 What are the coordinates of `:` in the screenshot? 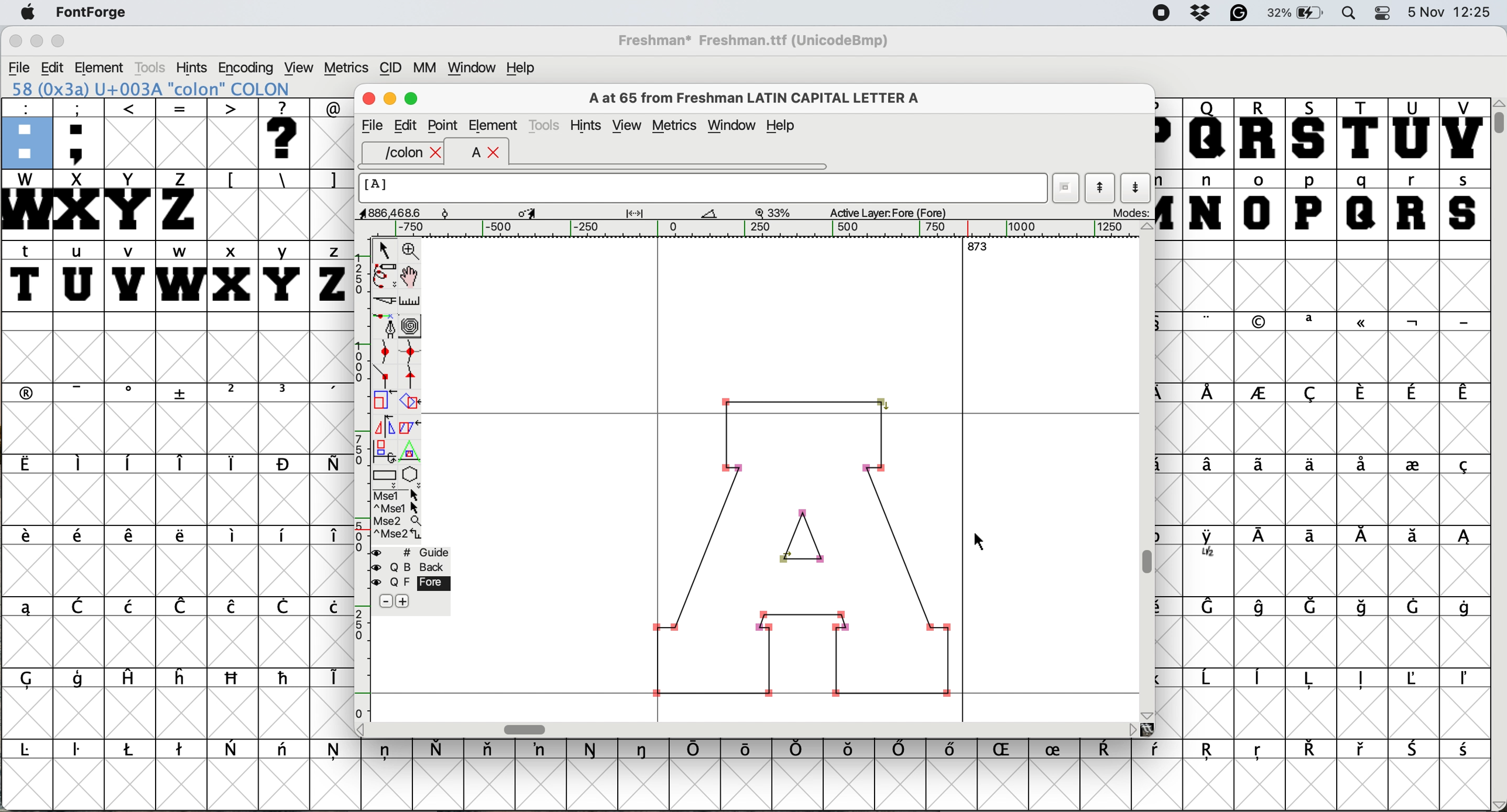 It's located at (25, 132).